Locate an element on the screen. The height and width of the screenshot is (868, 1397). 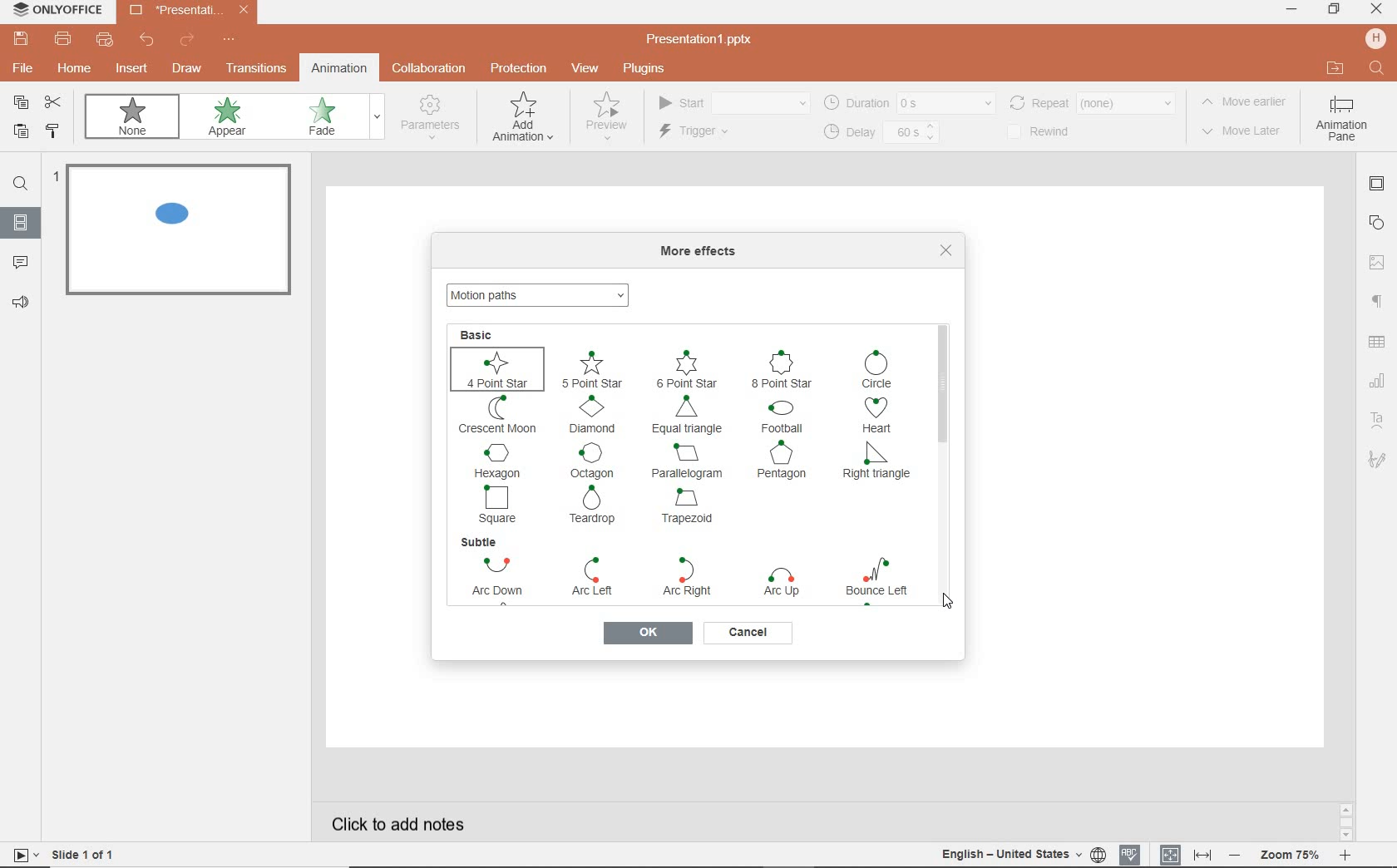
save is located at coordinates (20, 39).